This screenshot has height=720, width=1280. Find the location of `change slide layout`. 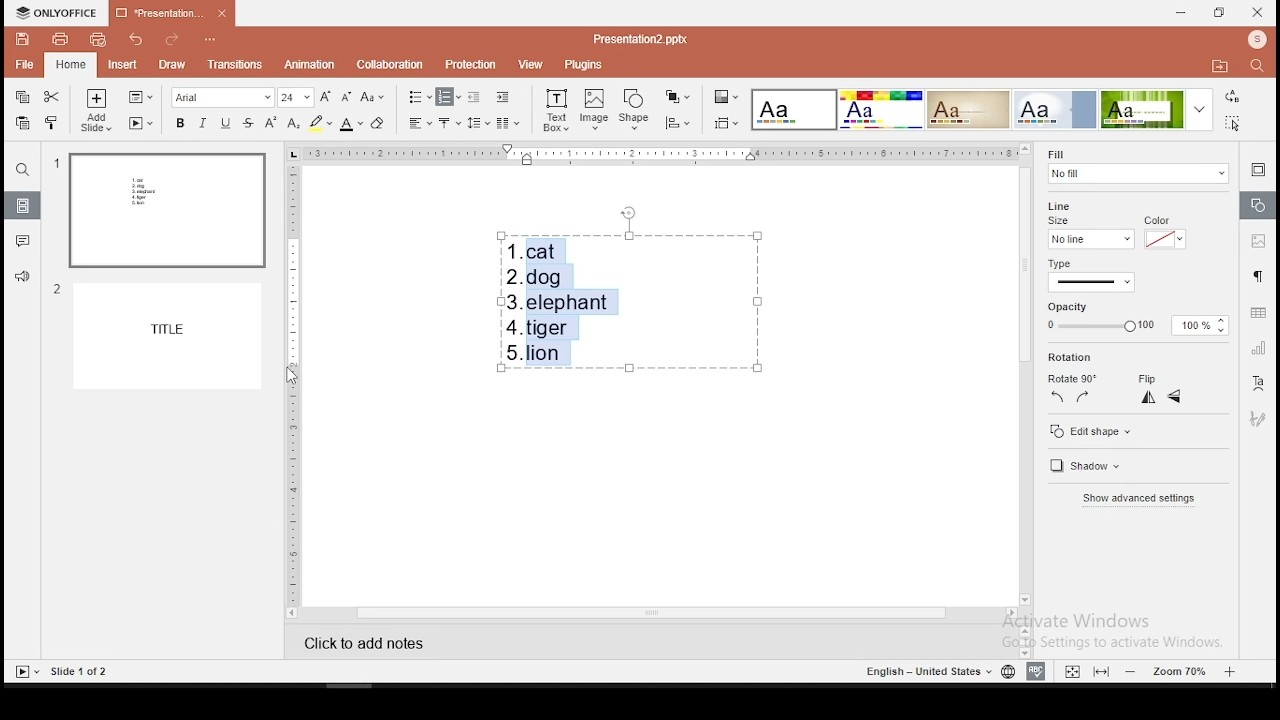

change slide layout is located at coordinates (140, 96).